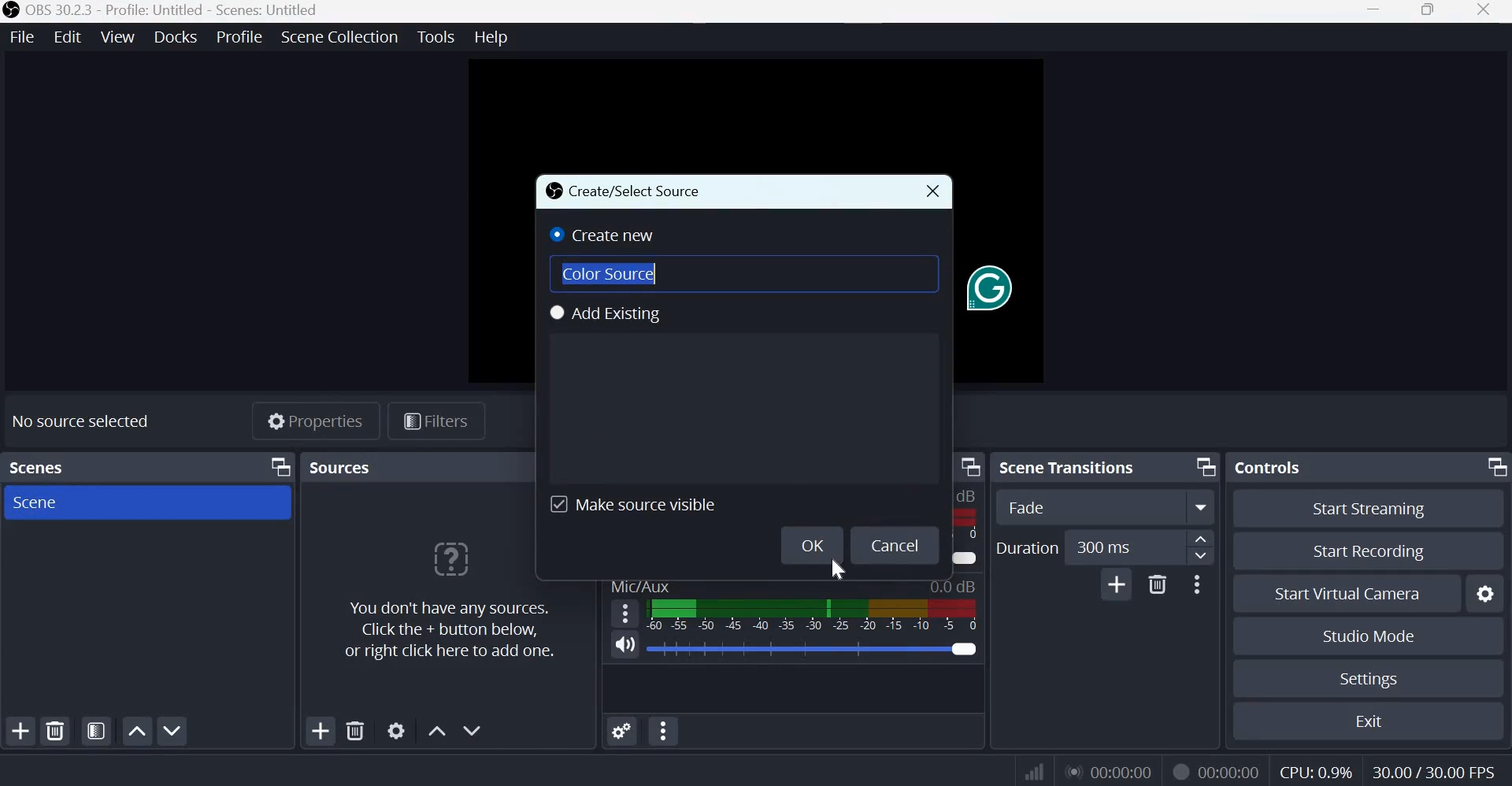 This screenshot has width=1512, height=786. I want to click on Add Source(s), so click(321, 731).